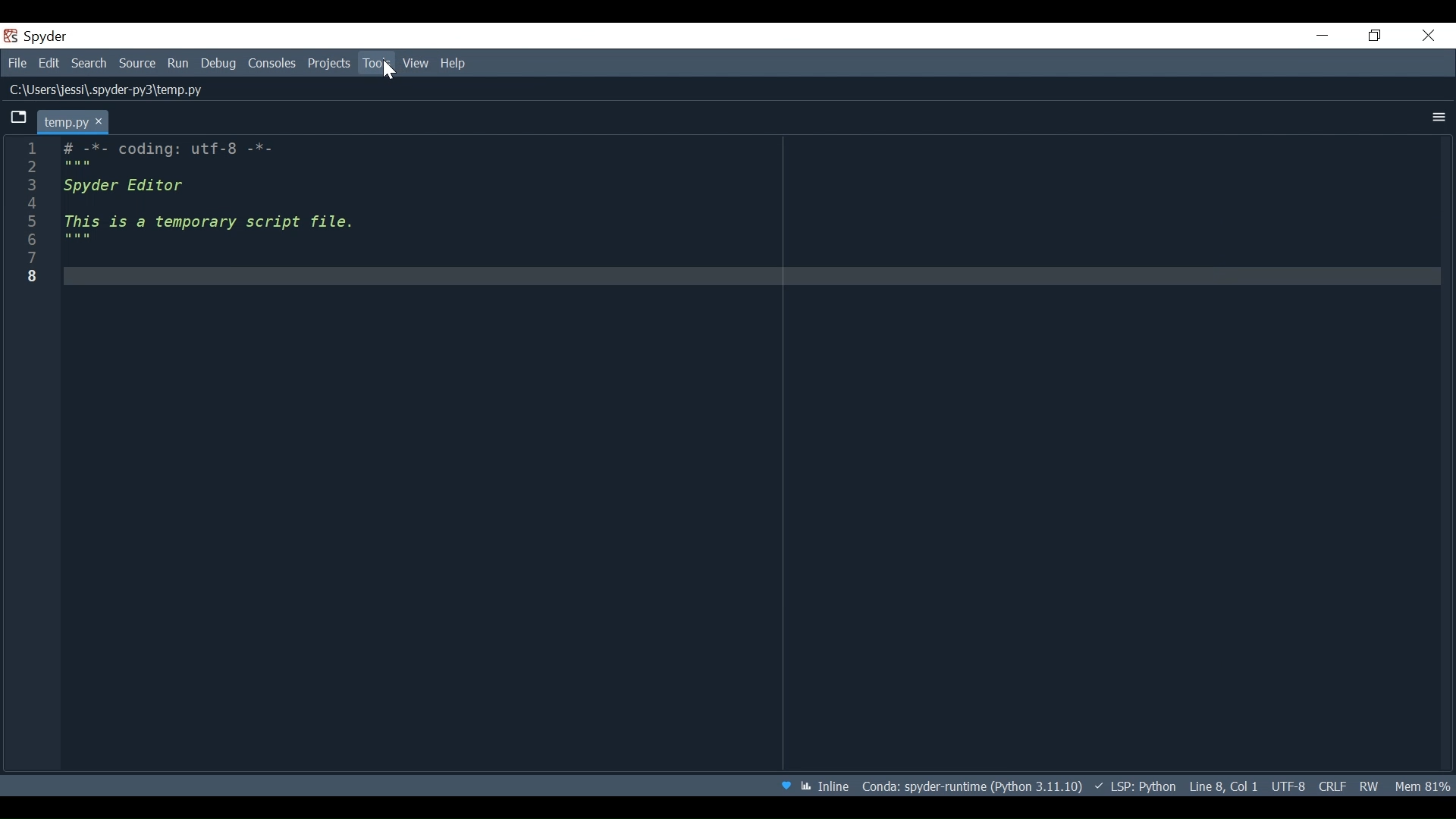 This screenshot has height=819, width=1456. I want to click on Debug, so click(221, 64).